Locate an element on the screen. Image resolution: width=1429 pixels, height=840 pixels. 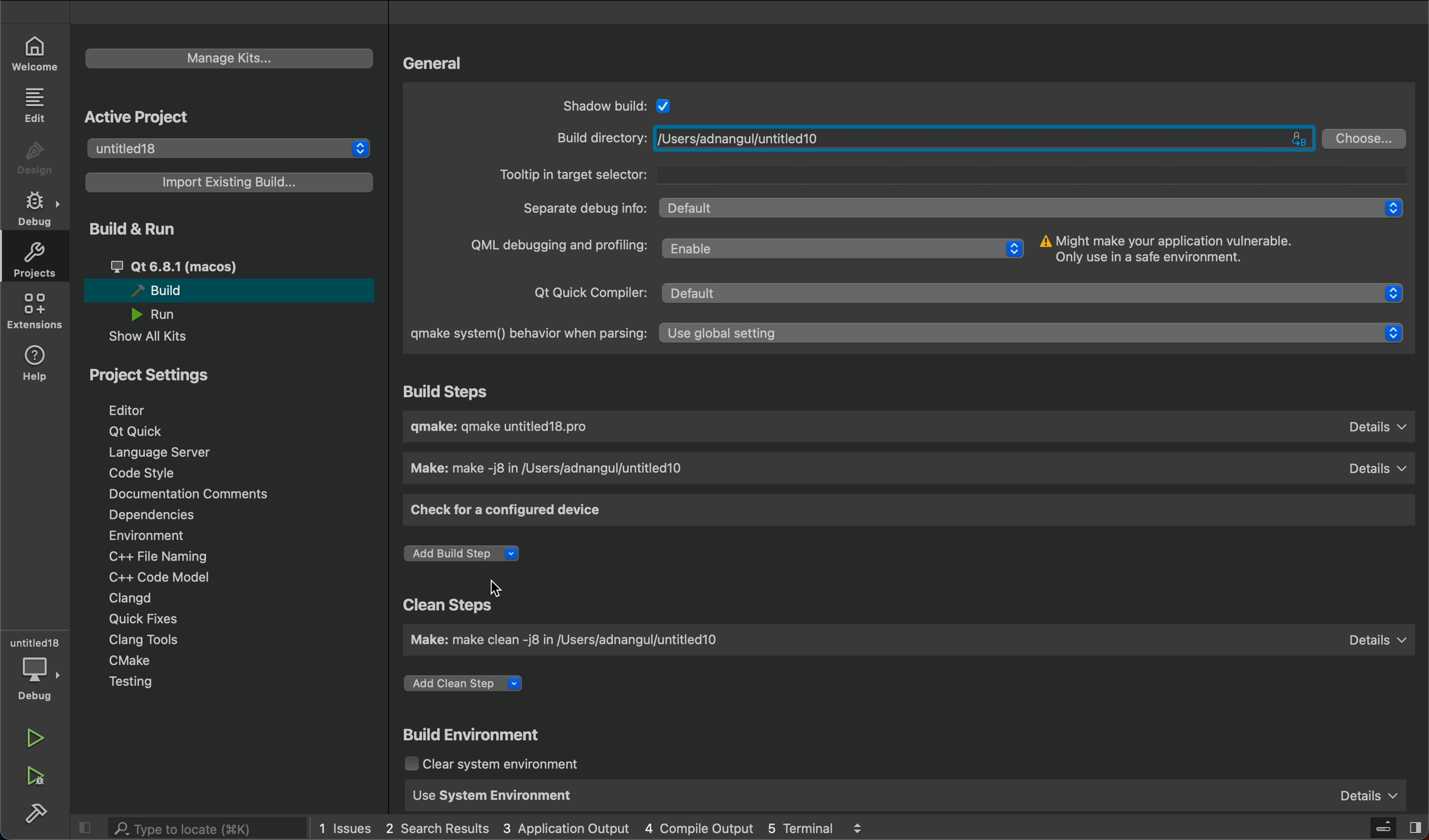
Make: make -j8 in /Users/adnangul/untitled10 is located at coordinates (553, 468).